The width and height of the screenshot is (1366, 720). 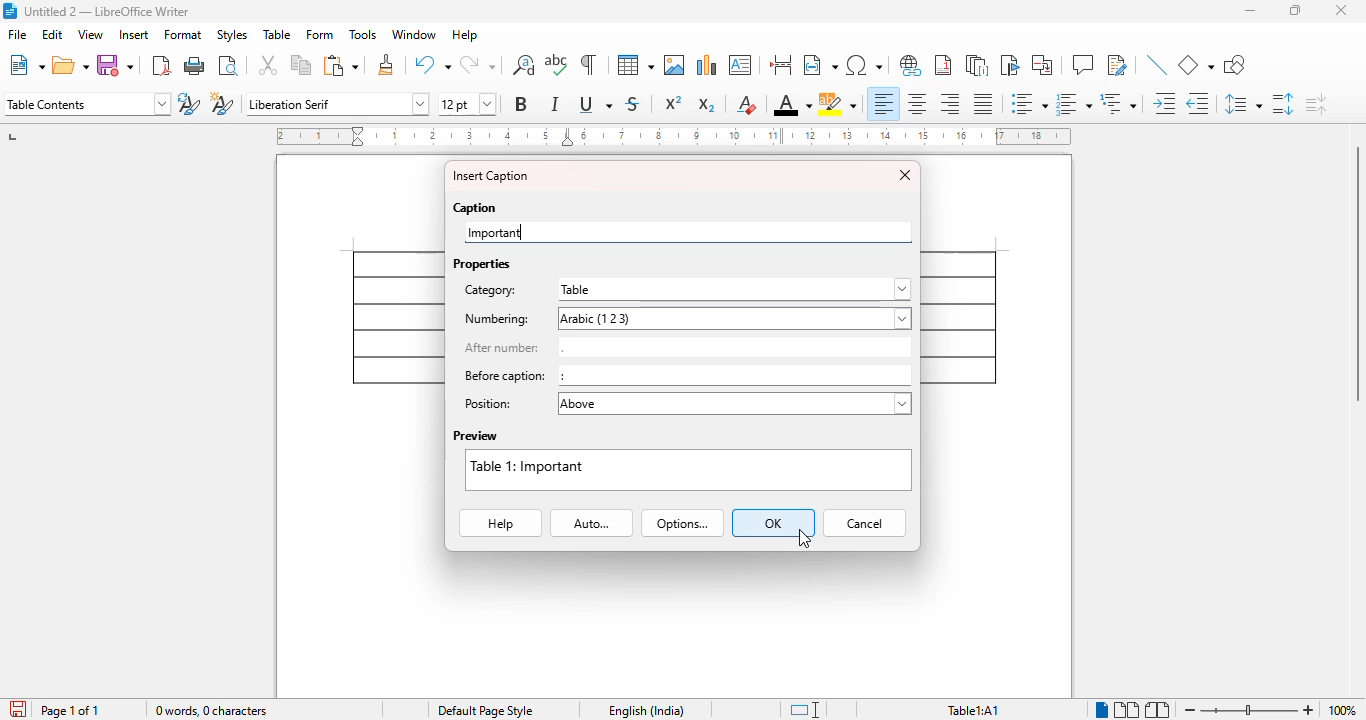 I want to click on ruler, so click(x=673, y=136).